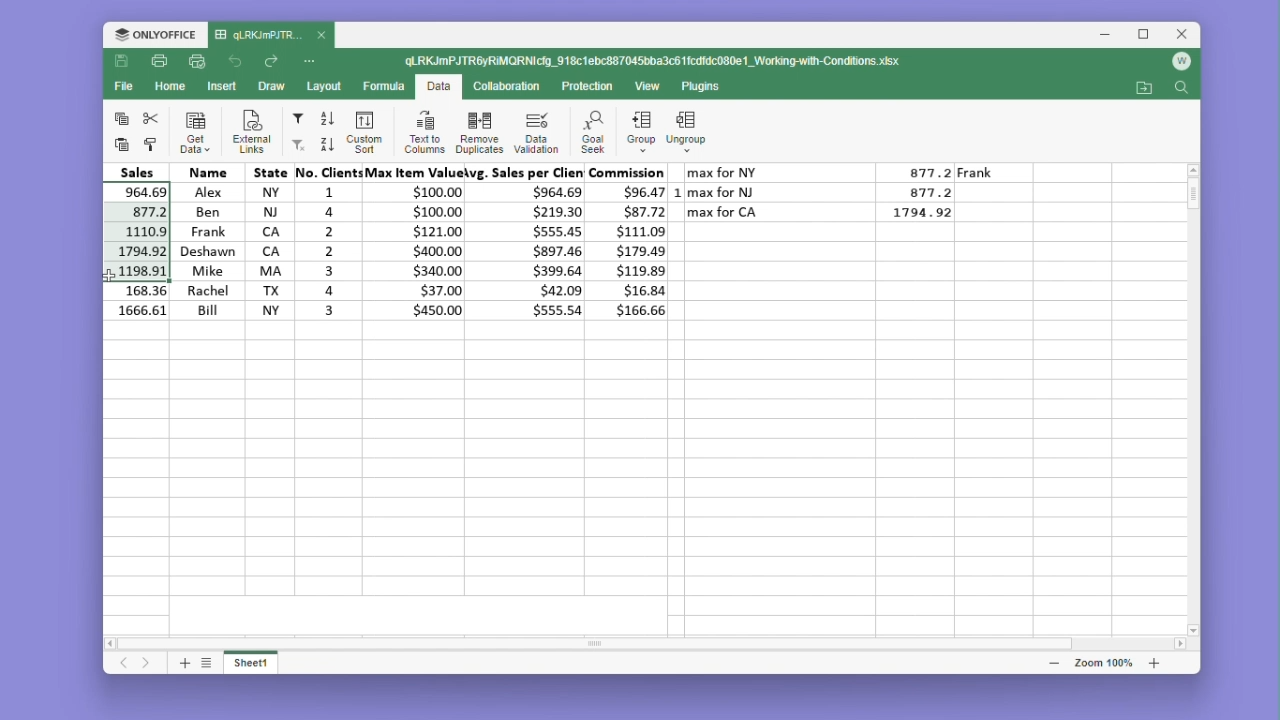  Describe the element at coordinates (196, 132) in the screenshot. I see `Get data` at that location.